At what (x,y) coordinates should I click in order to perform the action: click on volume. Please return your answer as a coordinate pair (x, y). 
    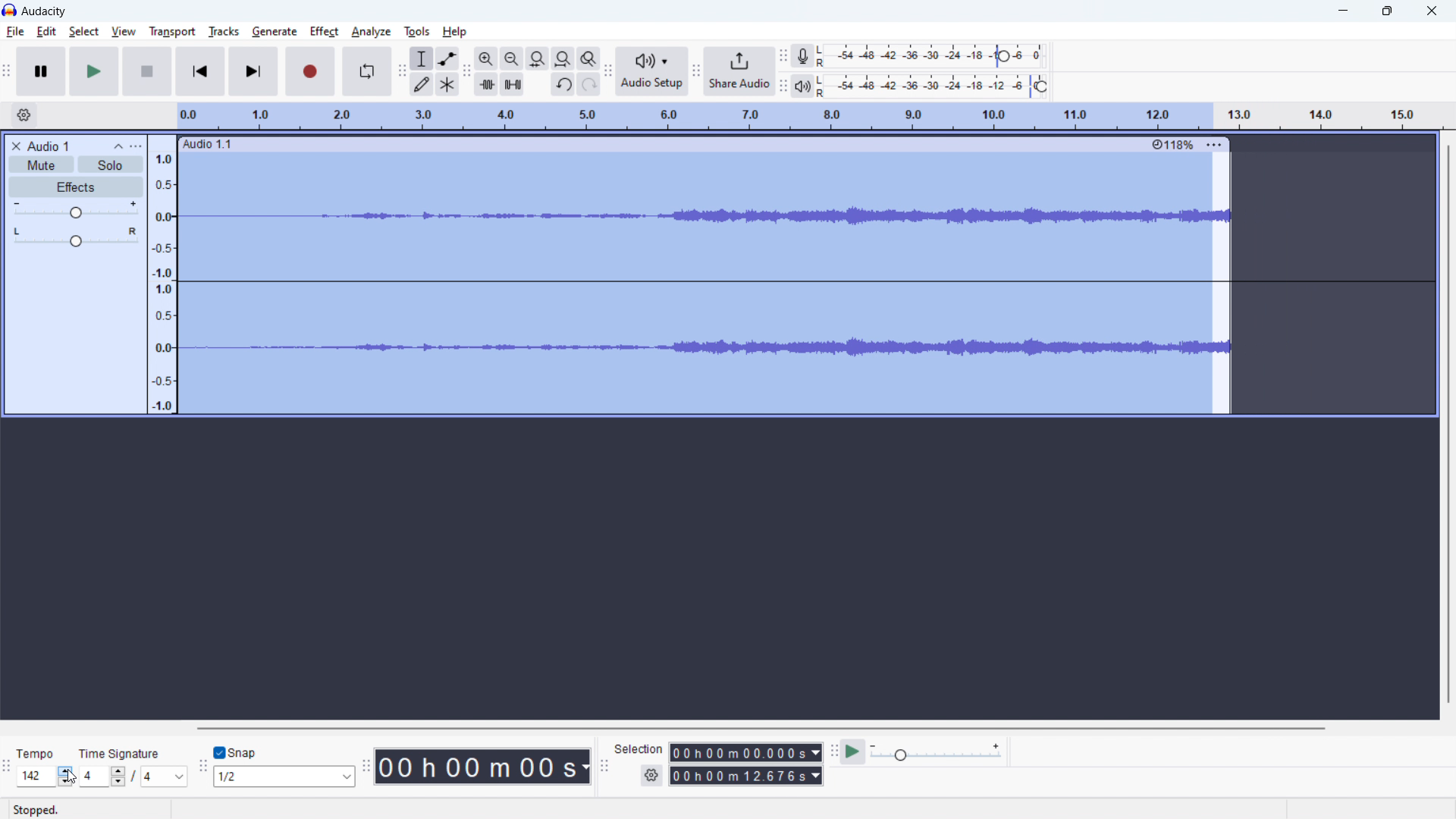
    Looking at the image, I should click on (74, 209).